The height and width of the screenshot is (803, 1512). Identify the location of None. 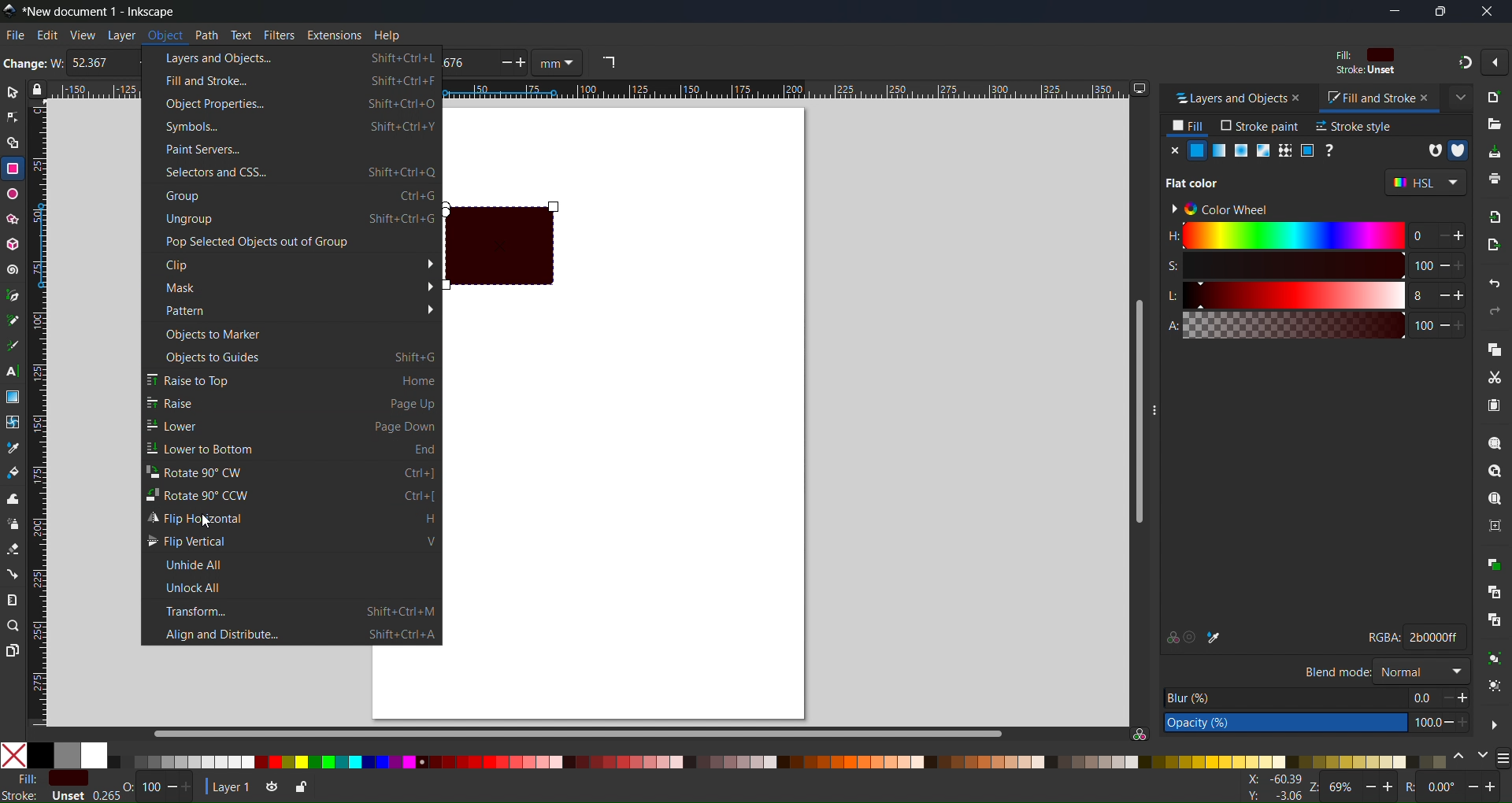
(13, 755).